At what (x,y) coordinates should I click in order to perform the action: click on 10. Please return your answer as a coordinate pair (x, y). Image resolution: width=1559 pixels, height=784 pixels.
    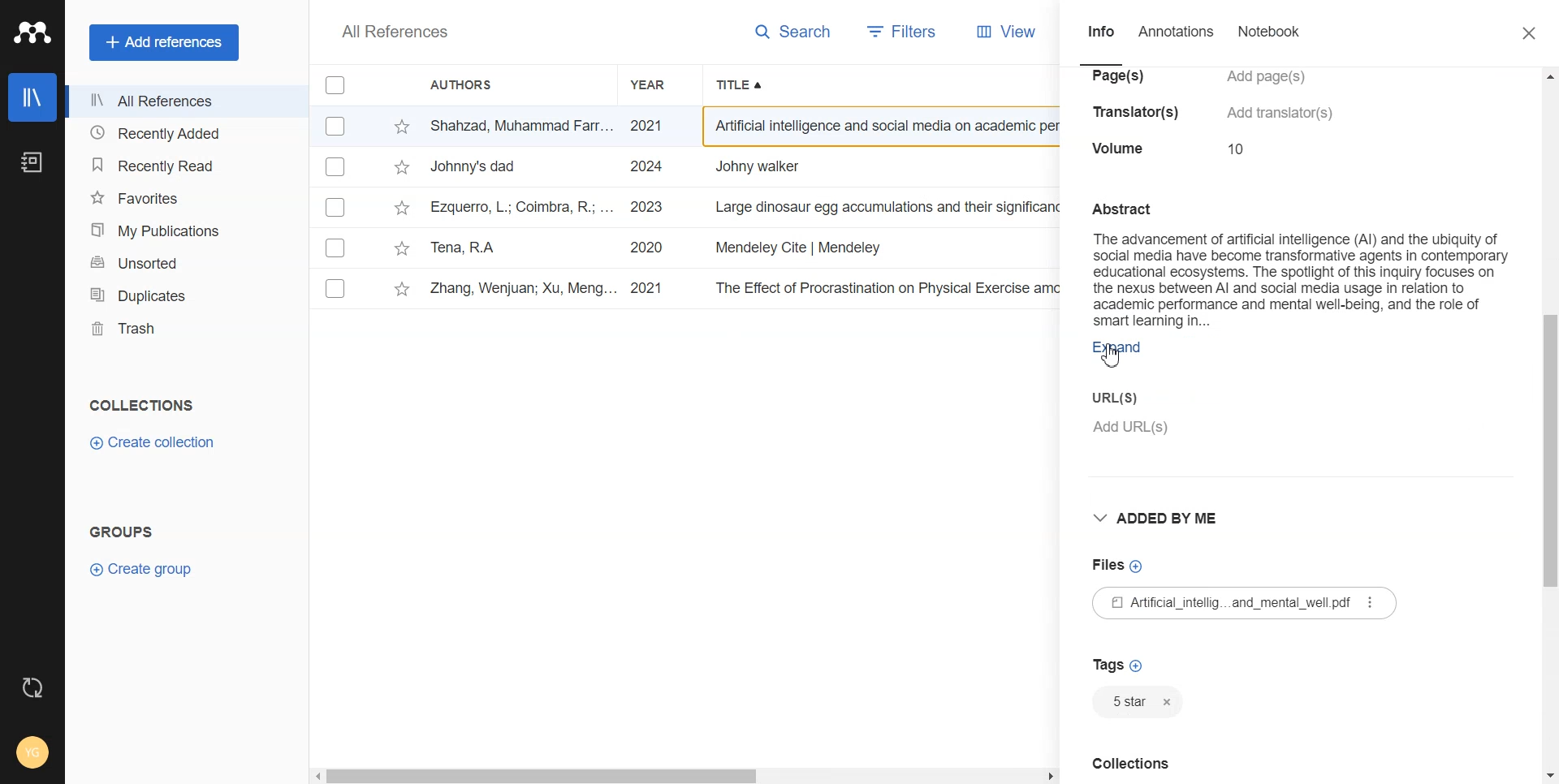
    Looking at the image, I should click on (1241, 149).